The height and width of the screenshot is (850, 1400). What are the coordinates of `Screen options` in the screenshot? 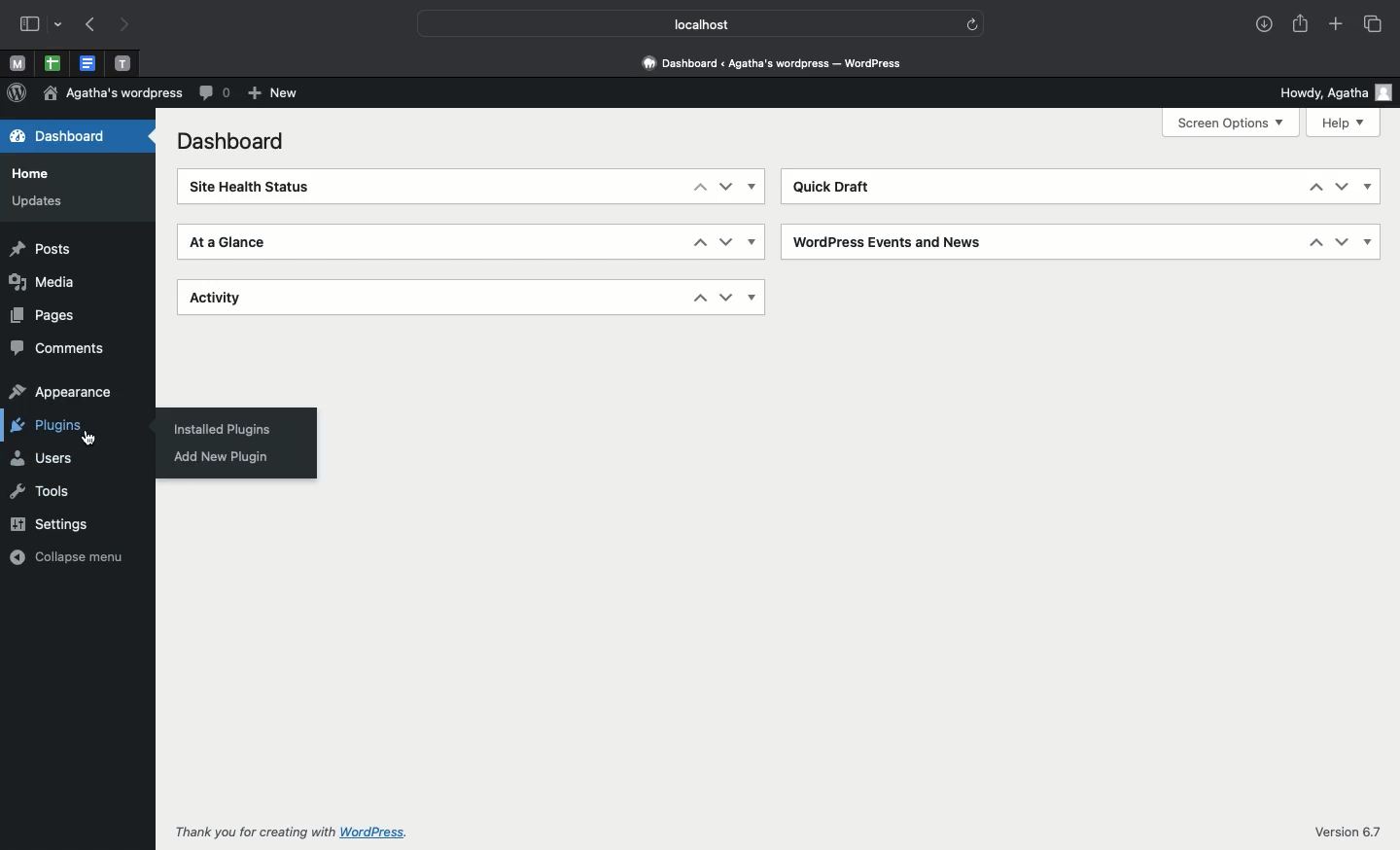 It's located at (1232, 124).